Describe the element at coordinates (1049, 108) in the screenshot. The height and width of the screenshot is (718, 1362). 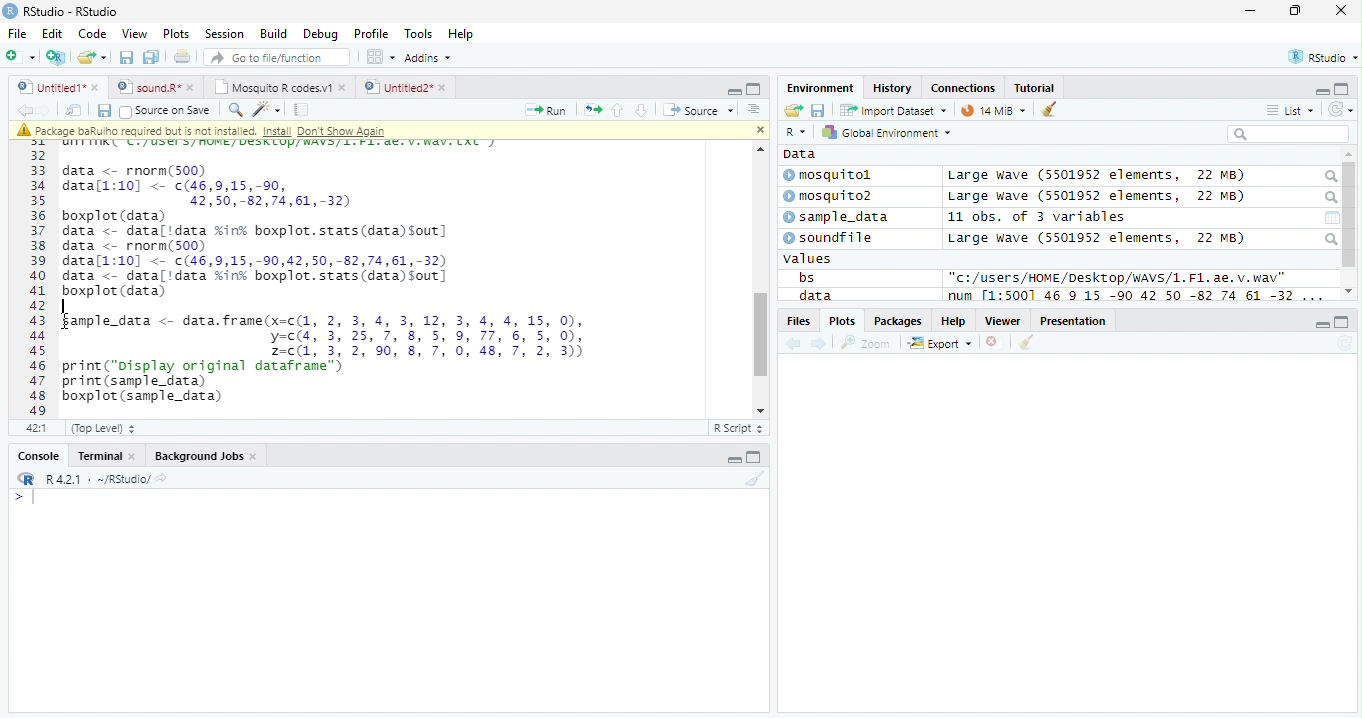
I see `clear console` at that location.